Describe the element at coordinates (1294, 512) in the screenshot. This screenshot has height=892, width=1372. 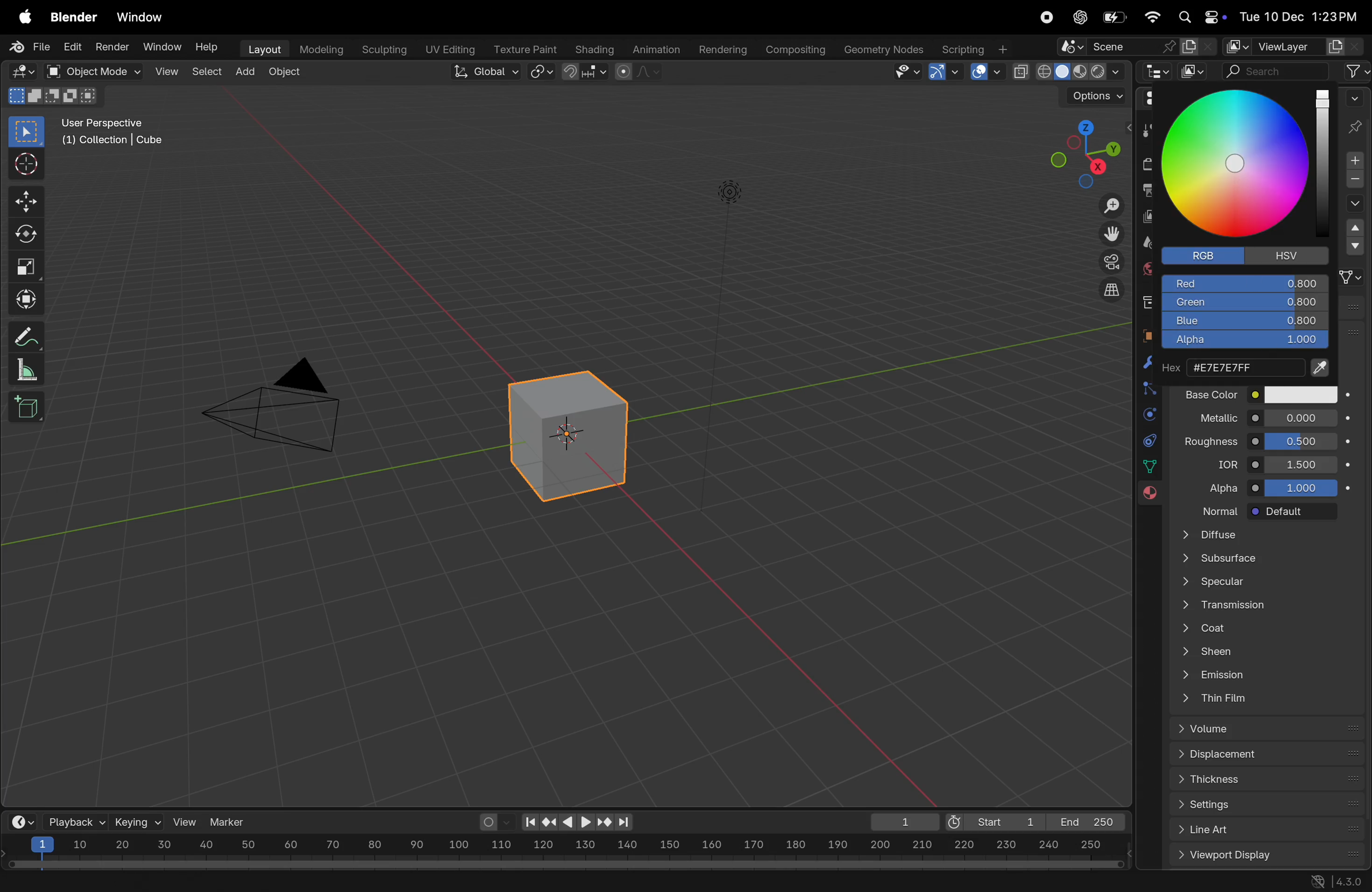
I see `default` at that location.